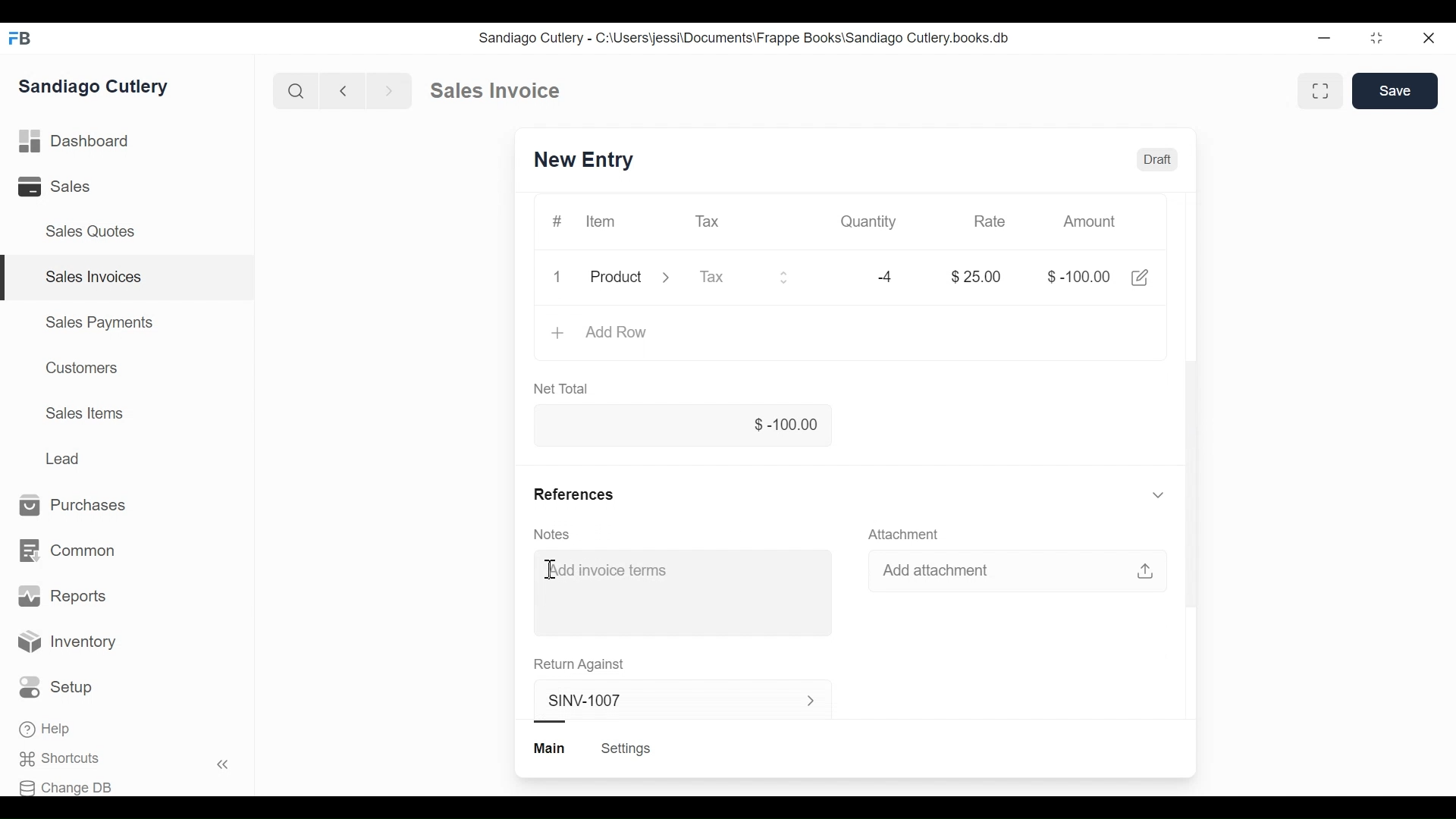 The height and width of the screenshot is (819, 1456). What do you see at coordinates (60, 595) in the screenshot?
I see `Reports` at bounding box center [60, 595].